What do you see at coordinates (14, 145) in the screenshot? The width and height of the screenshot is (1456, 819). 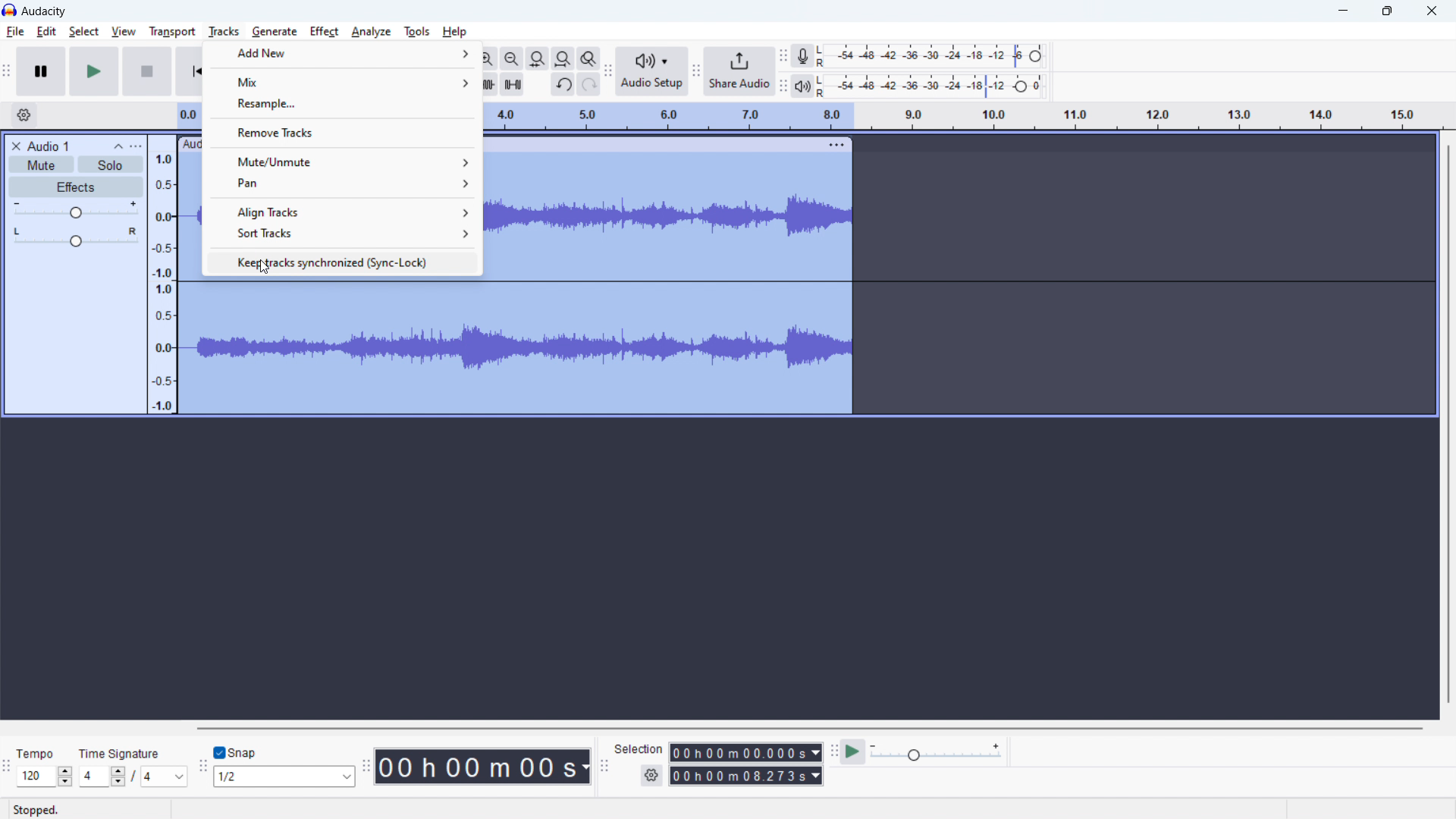 I see `delete track` at bounding box center [14, 145].